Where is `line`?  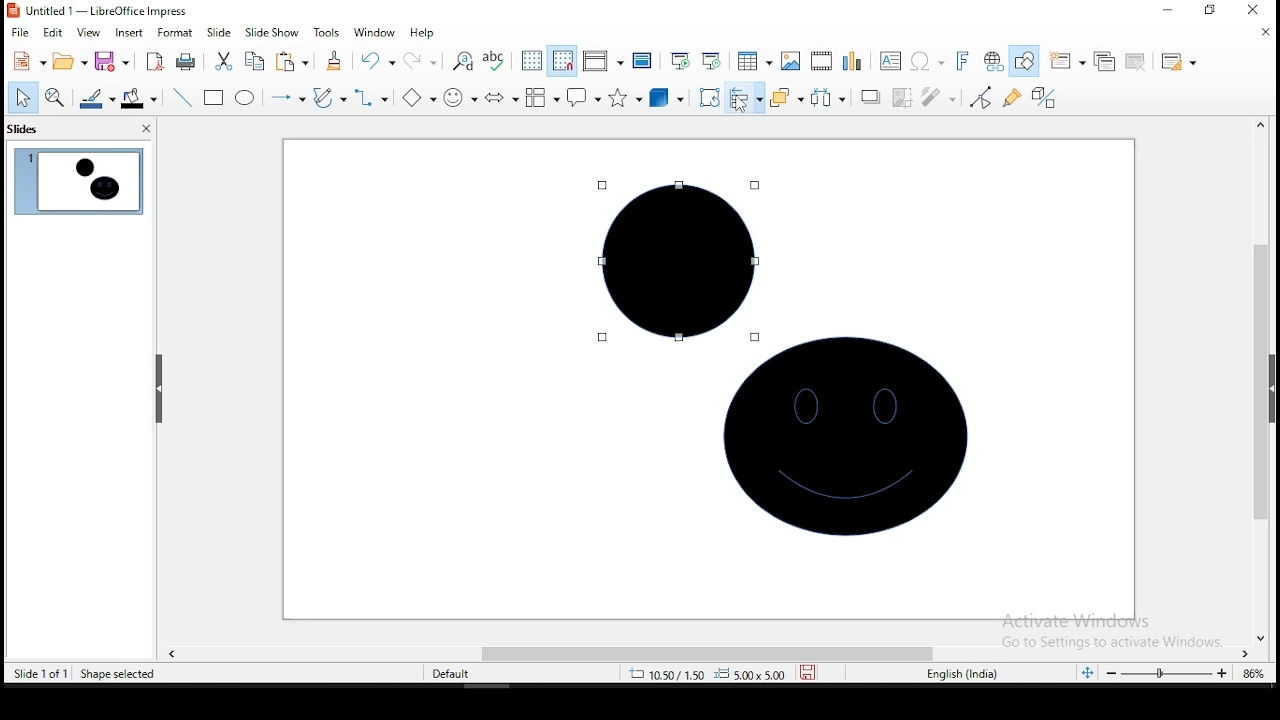 line is located at coordinates (182, 98).